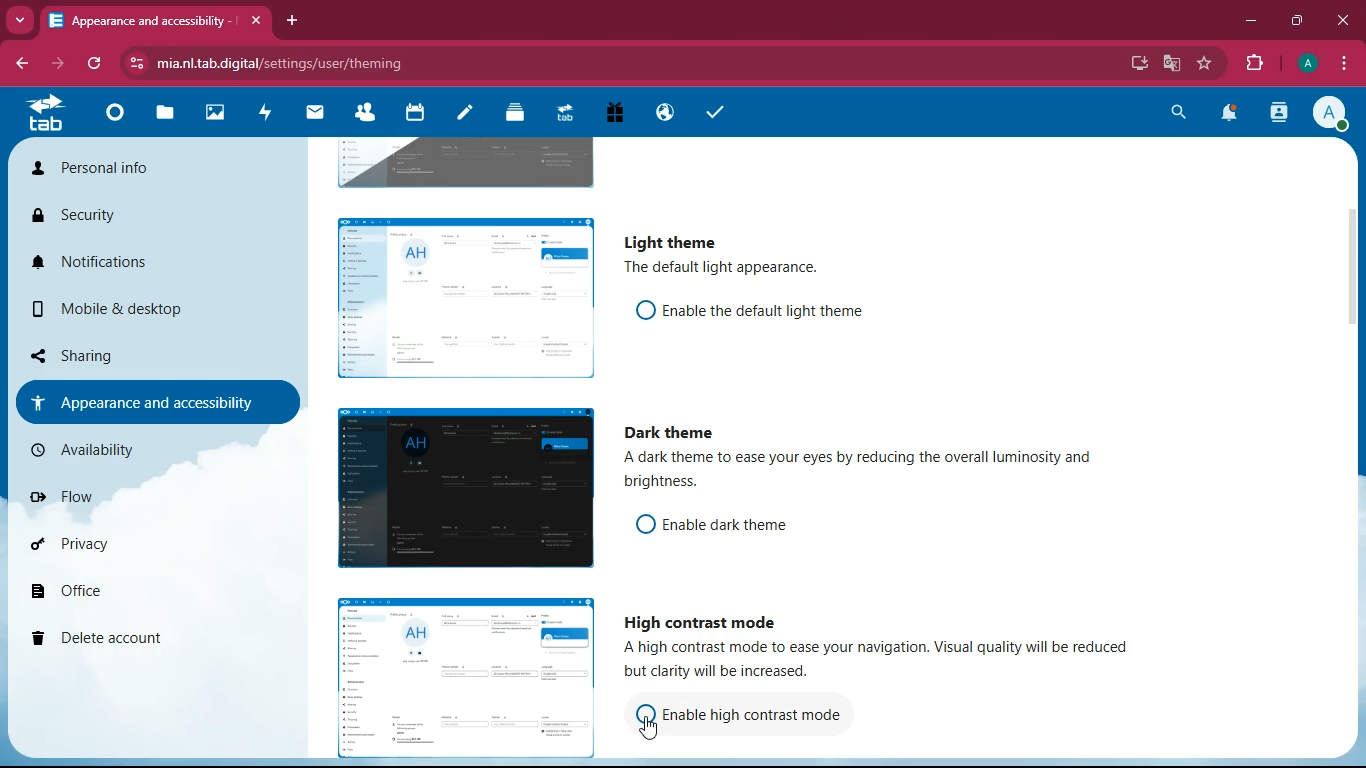 This screenshot has height=768, width=1366. Describe the element at coordinates (1257, 64) in the screenshot. I see `extension` at that location.